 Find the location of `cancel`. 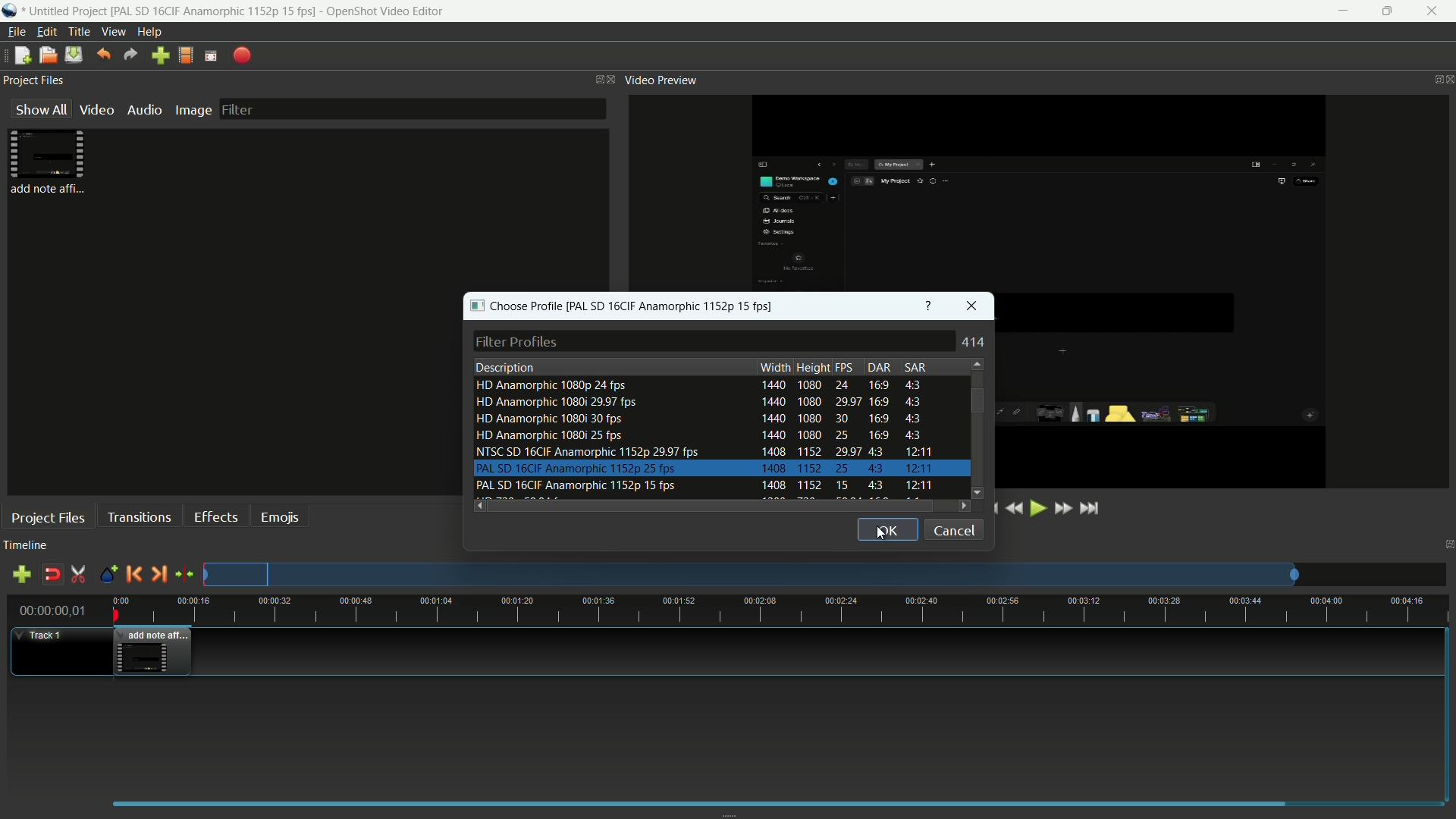

cancel is located at coordinates (953, 529).